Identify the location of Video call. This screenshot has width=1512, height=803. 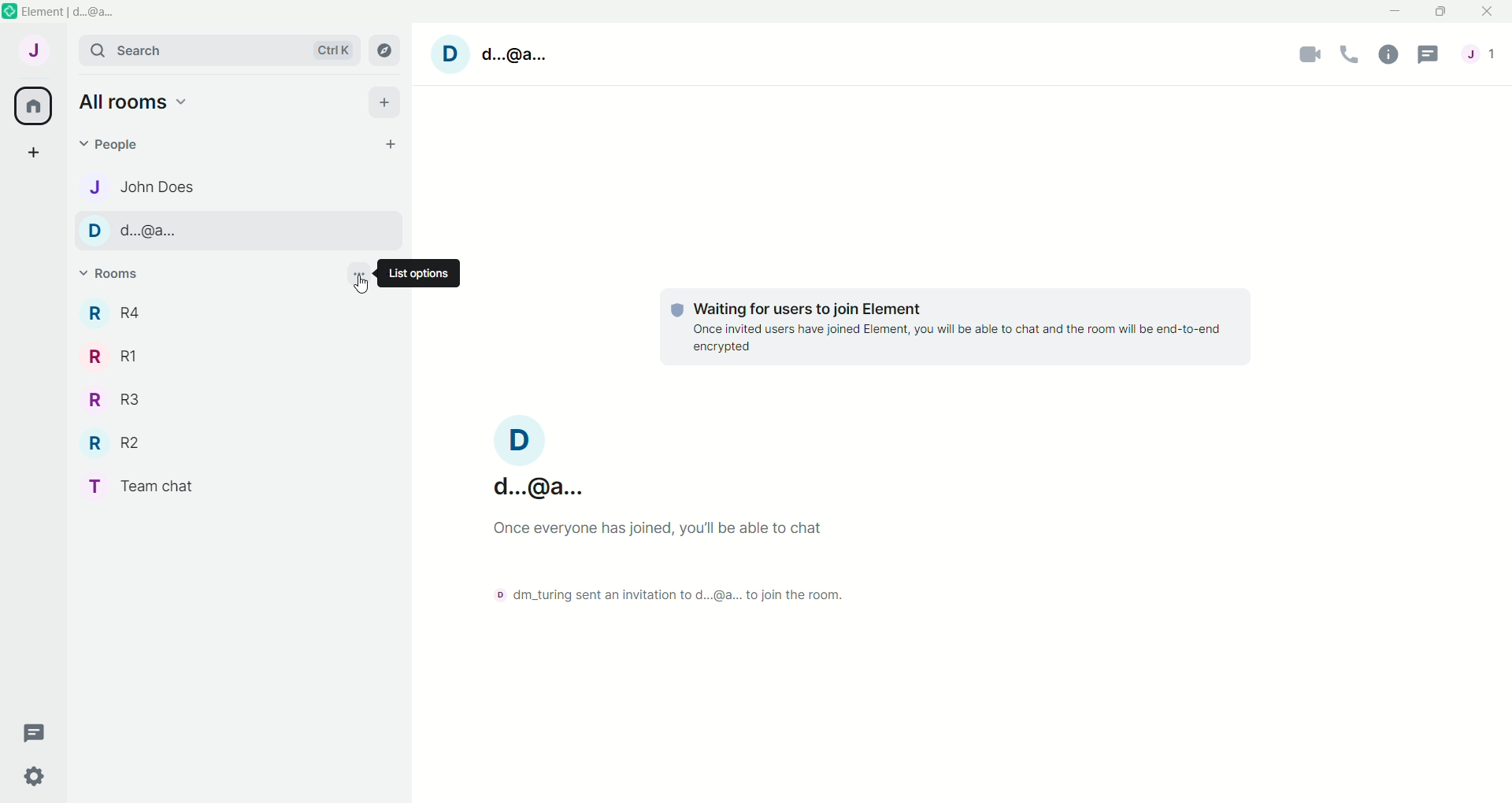
(1310, 52).